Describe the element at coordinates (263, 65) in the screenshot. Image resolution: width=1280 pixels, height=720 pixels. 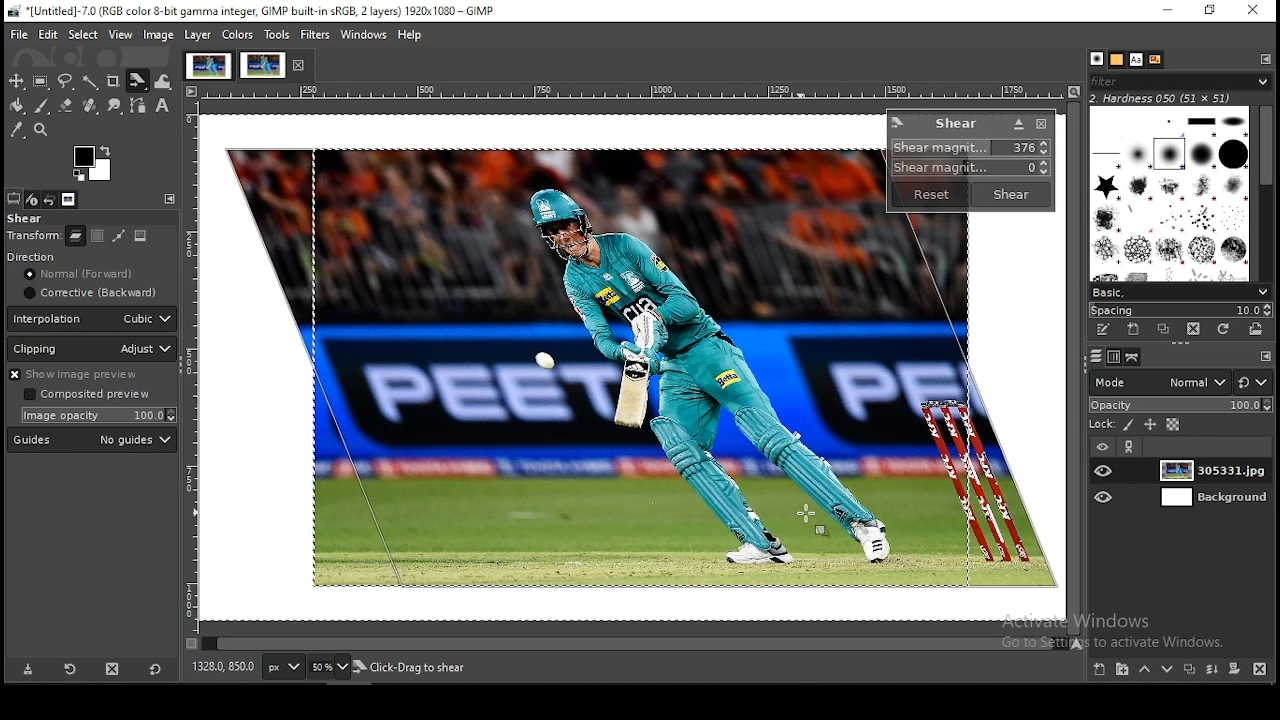
I see `project tab 2` at that location.